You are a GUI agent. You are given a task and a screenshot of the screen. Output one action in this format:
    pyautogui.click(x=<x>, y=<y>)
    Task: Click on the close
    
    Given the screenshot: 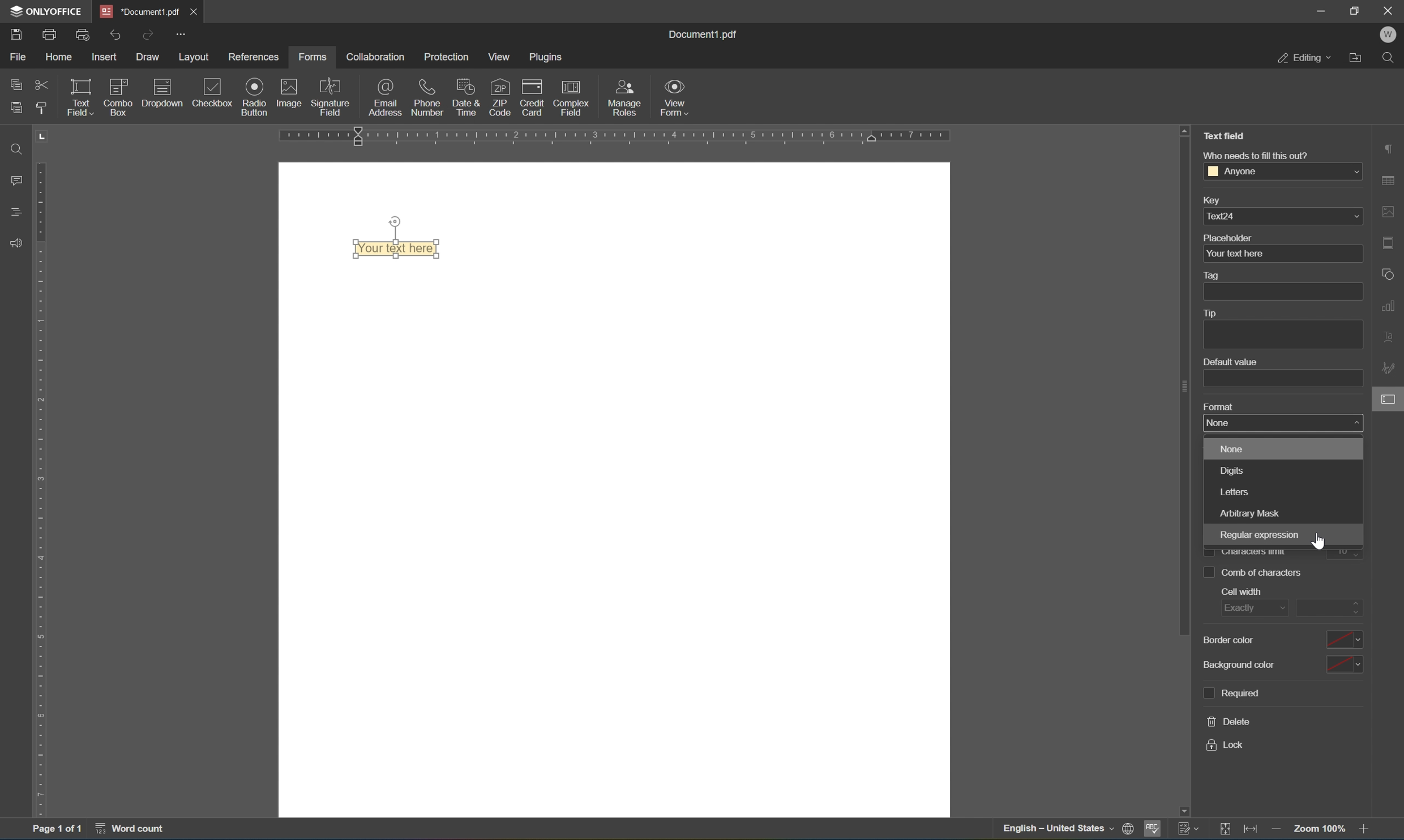 What is the action you would take?
    pyautogui.click(x=192, y=11)
    